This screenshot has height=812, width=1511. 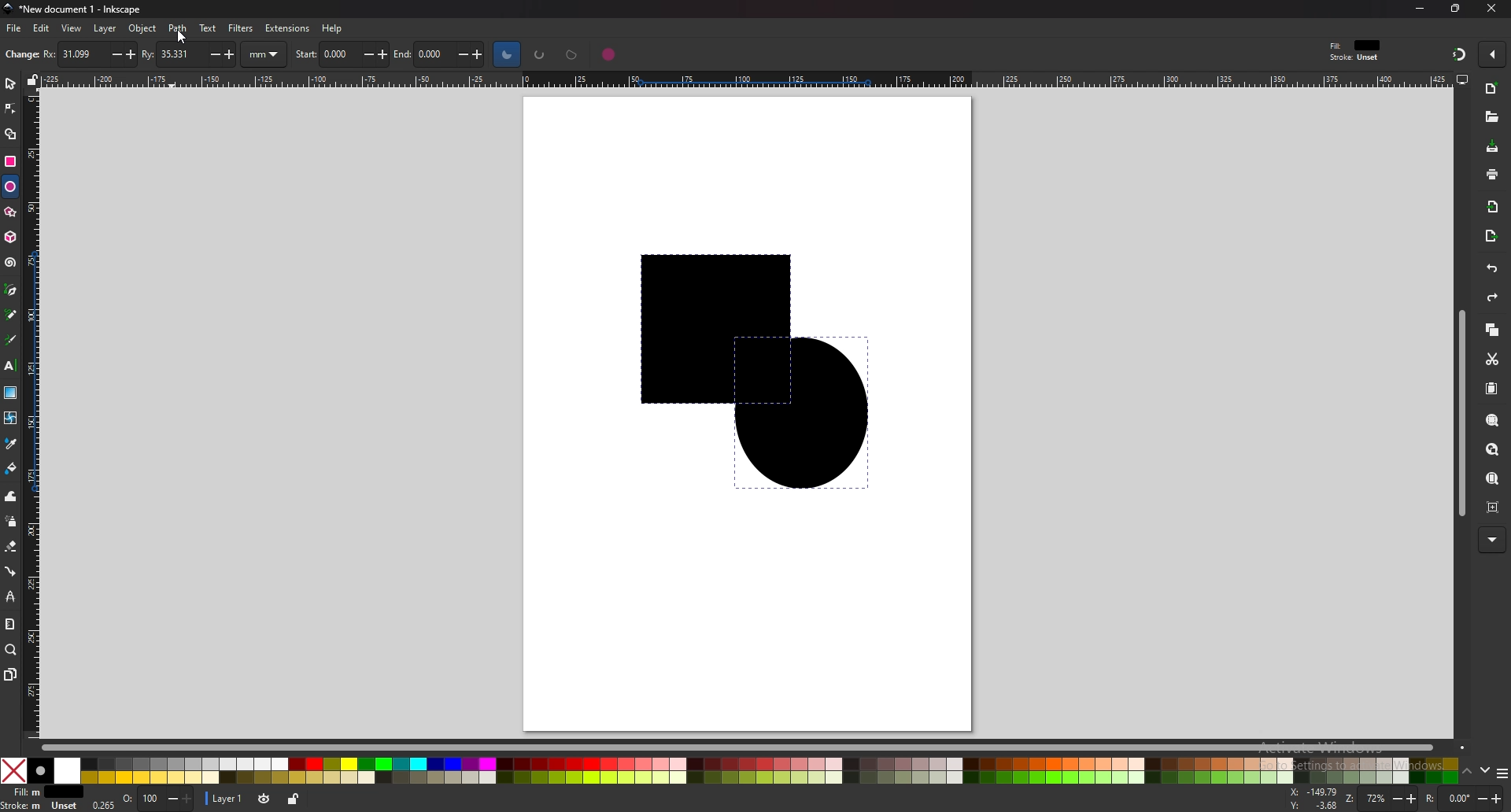 What do you see at coordinates (1494, 478) in the screenshot?
I see `zoom page` at bounding box center [1494, 478].